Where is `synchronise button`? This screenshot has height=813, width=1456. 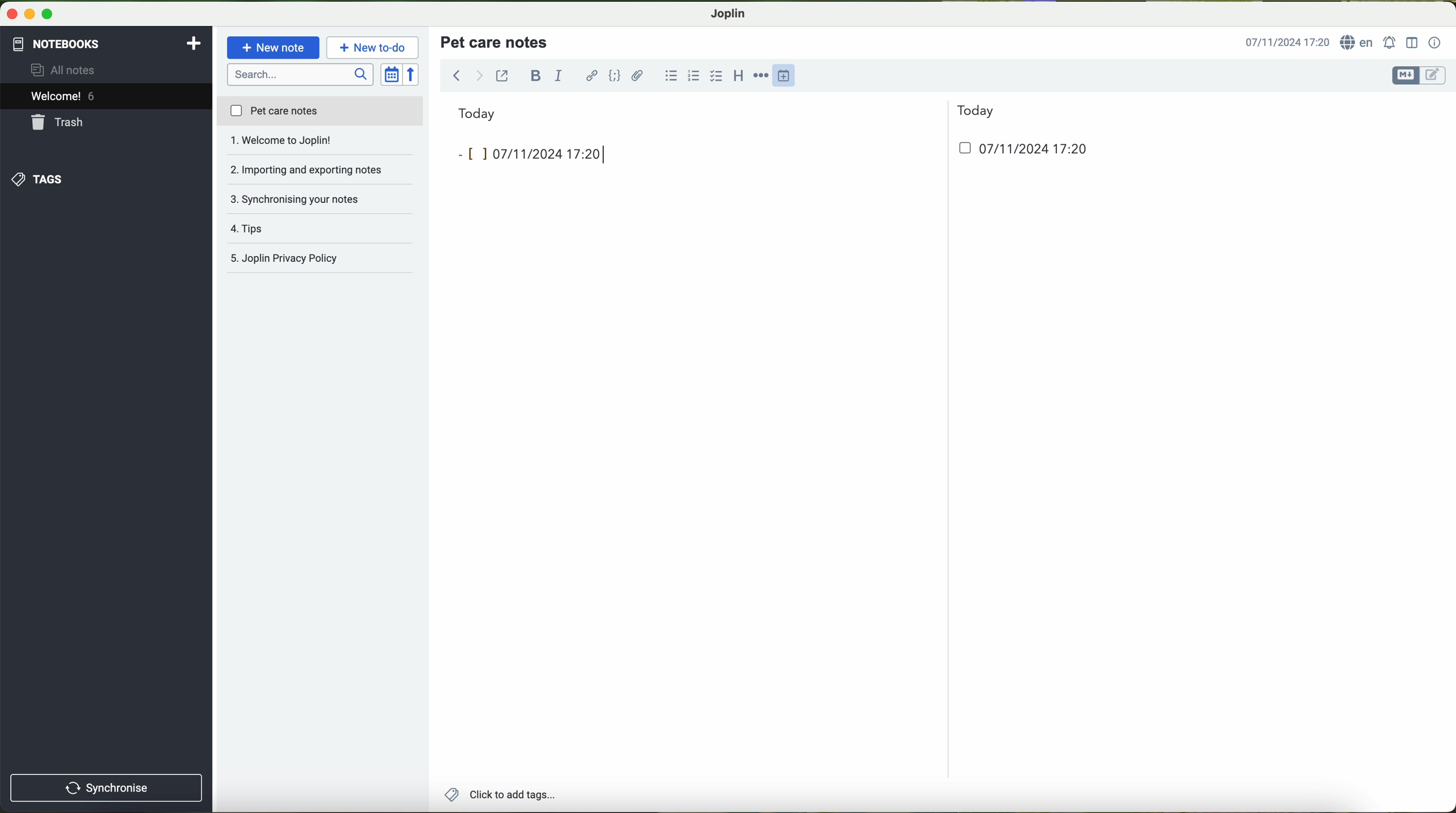 synchronise button is located at coordinates (106, 788).